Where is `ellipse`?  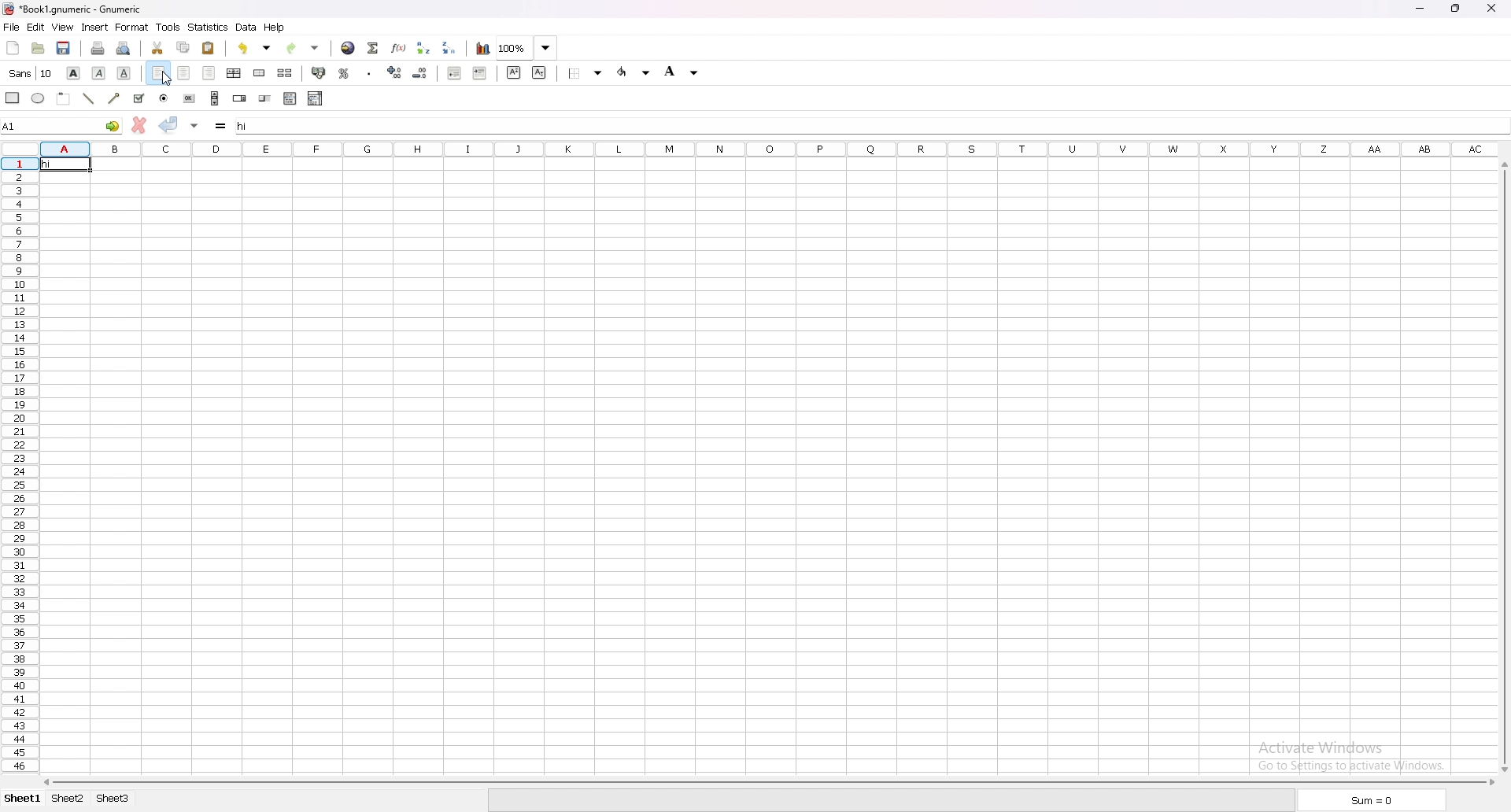
ellipse is located at coordinates (39, 98).